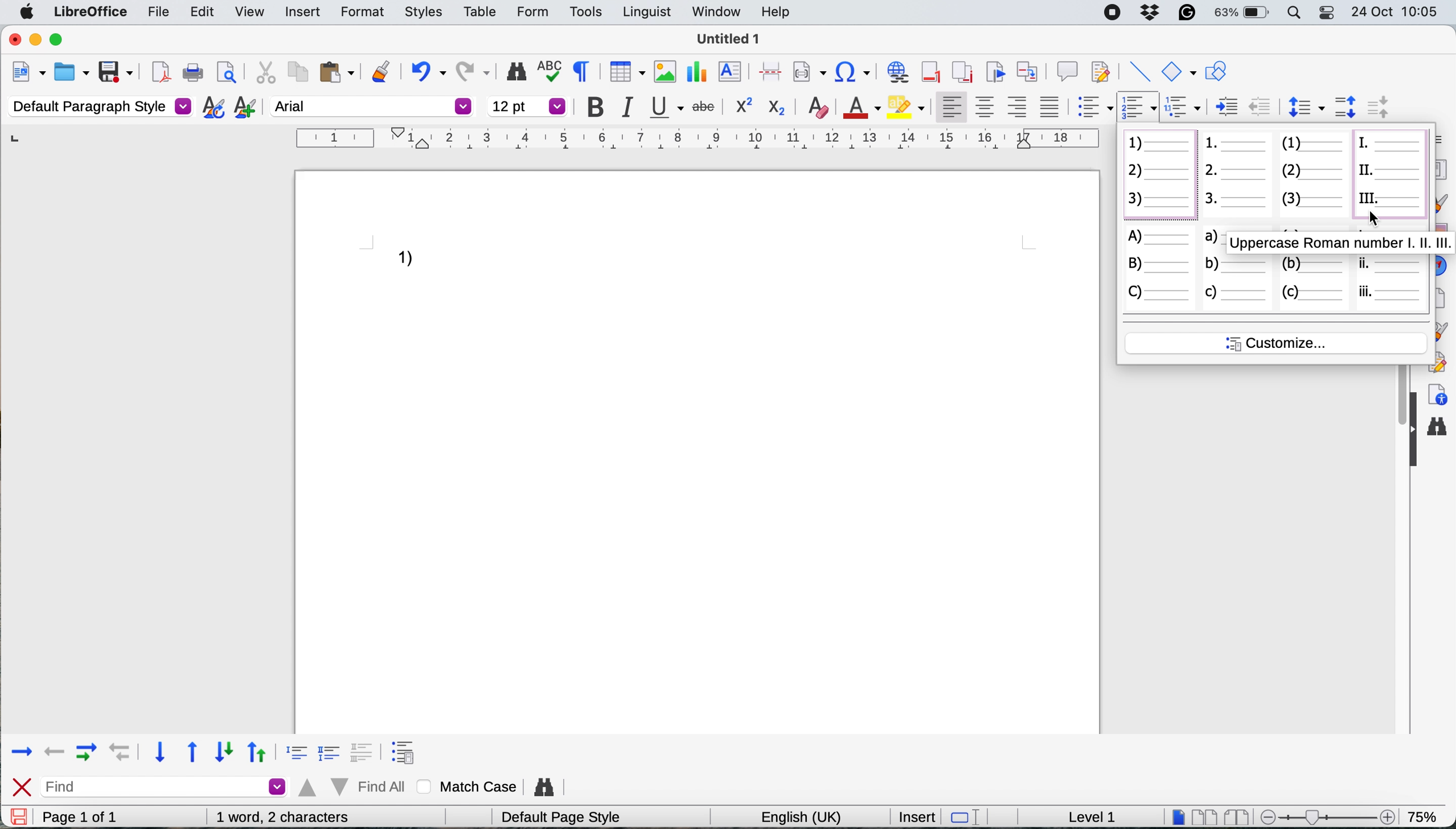 The width and height of the screenshot is (1456, 829). I want to click on match case, so click(470, 786).